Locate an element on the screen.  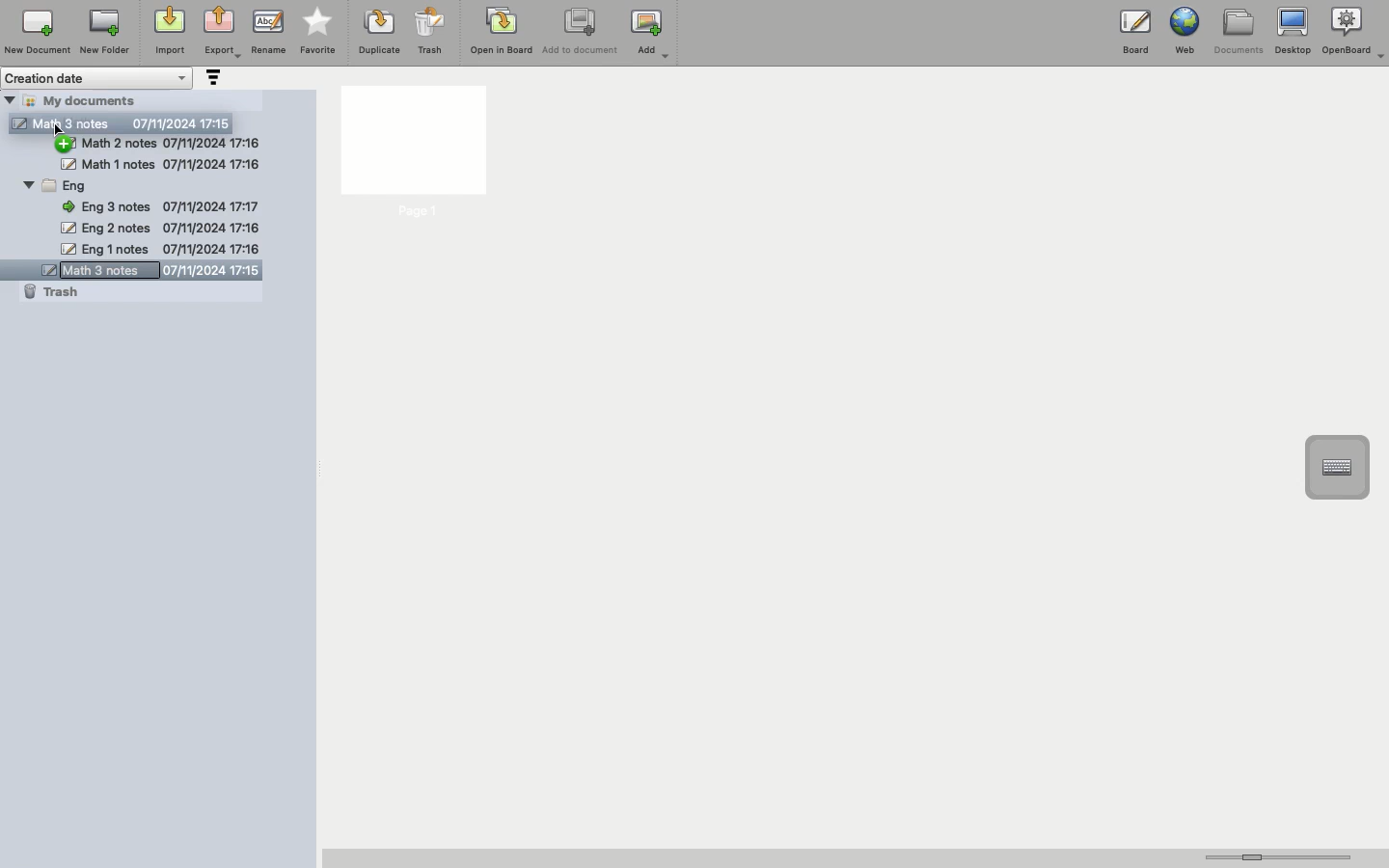
New document is located at coordinates (38, 32).